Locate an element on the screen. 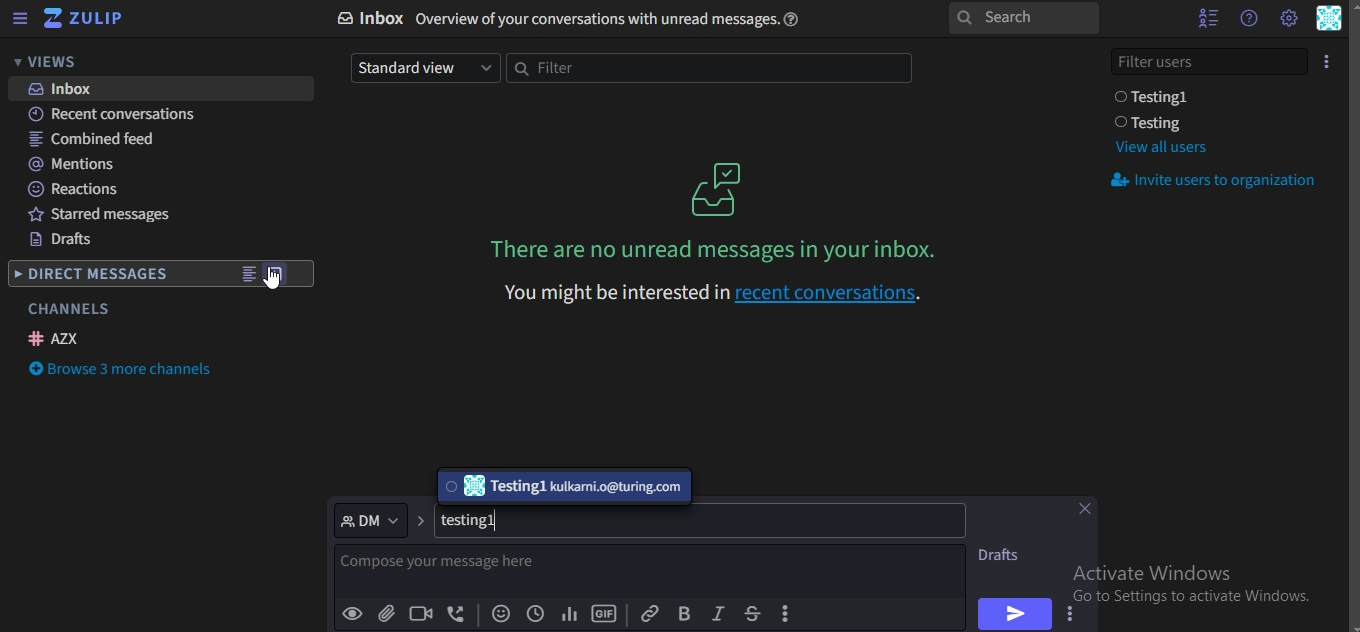 The width and height of the screenshot is (1360, 632). send  is located at coordinates (1012, 613).